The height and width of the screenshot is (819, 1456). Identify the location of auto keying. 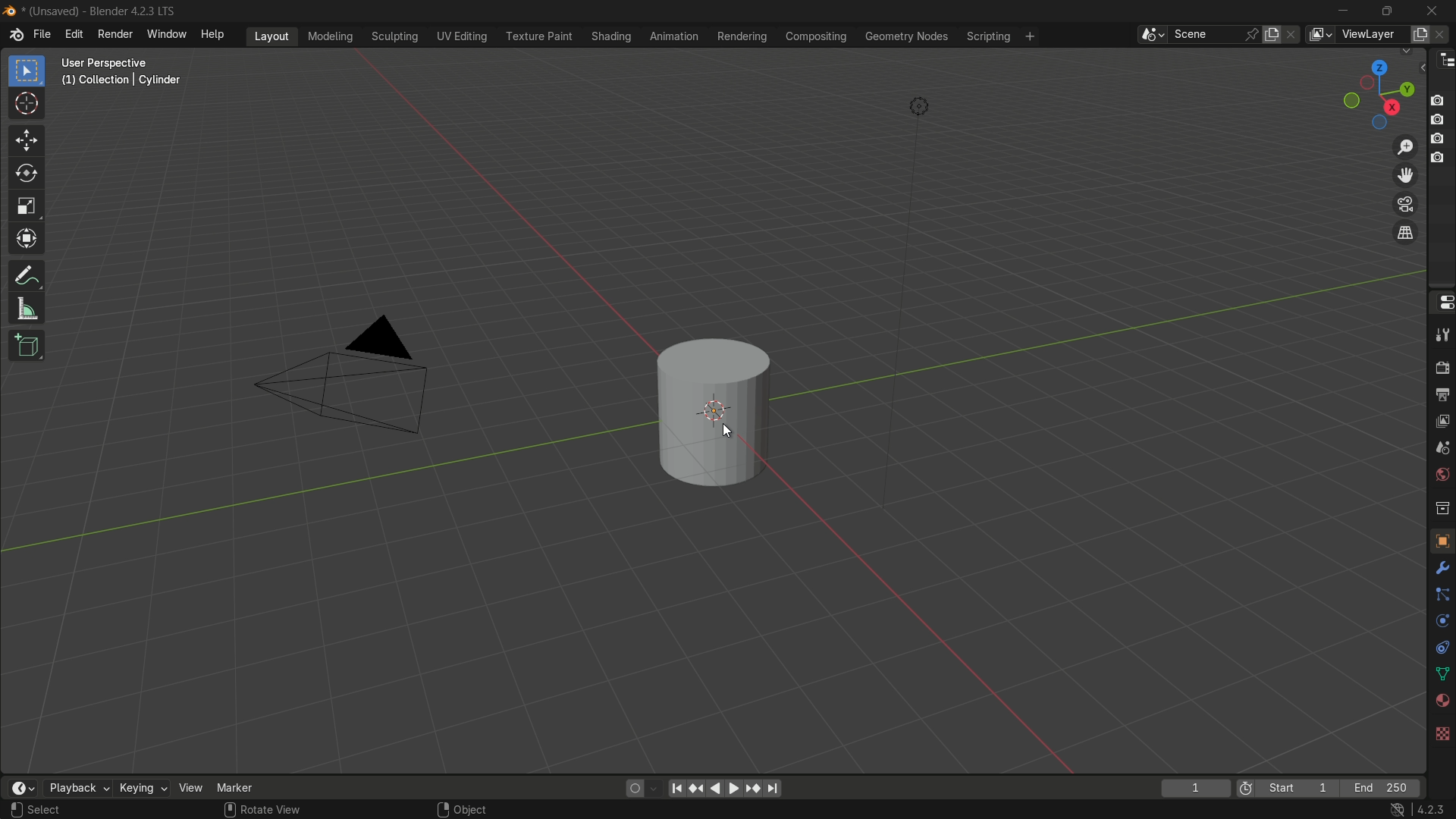
(631, 789).